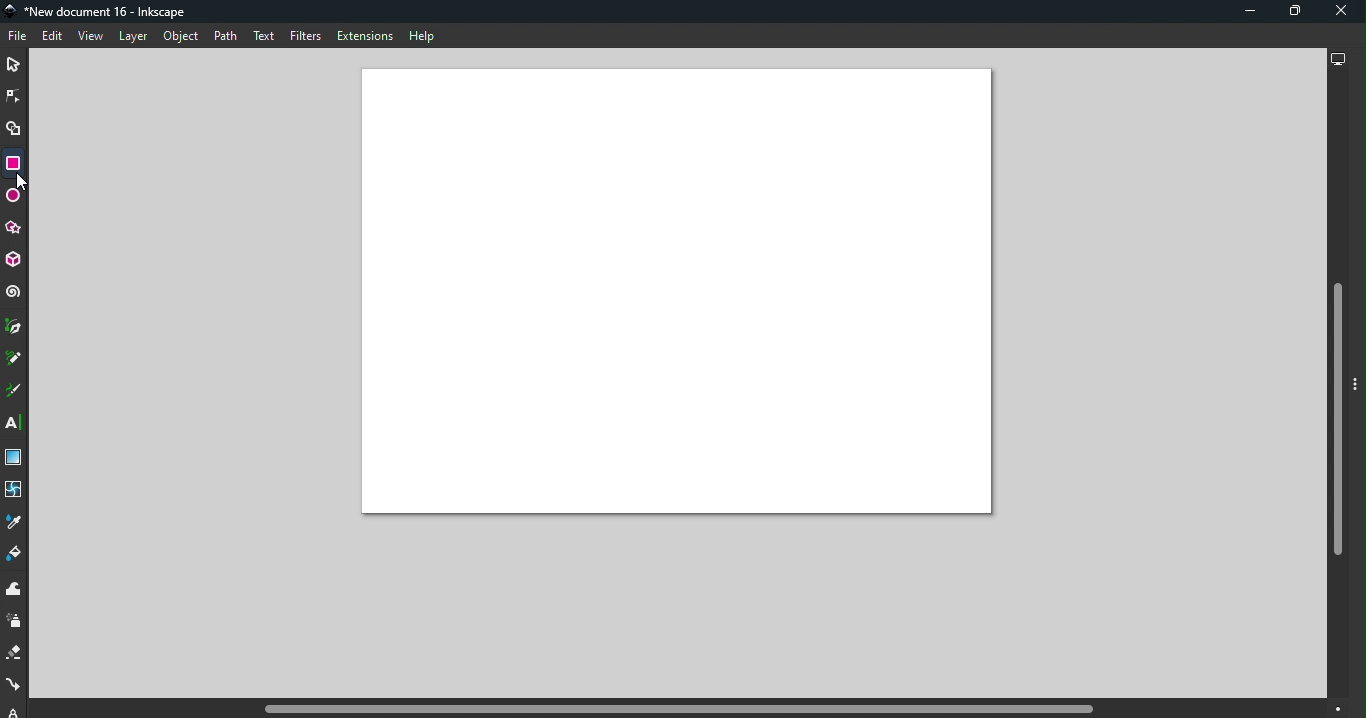  I want to click on Tweak tool, so click(18, 590).